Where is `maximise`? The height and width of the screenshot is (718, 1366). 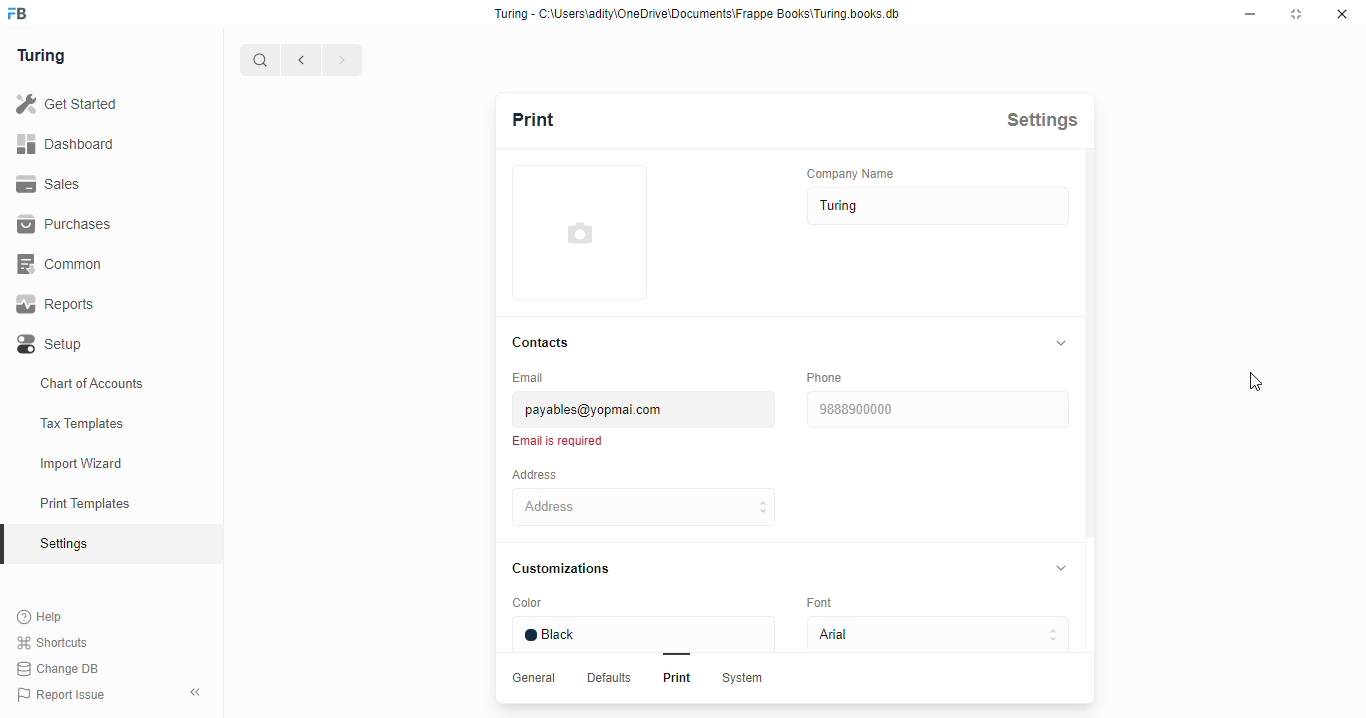
maximise is located at coordinates (1299, 15).